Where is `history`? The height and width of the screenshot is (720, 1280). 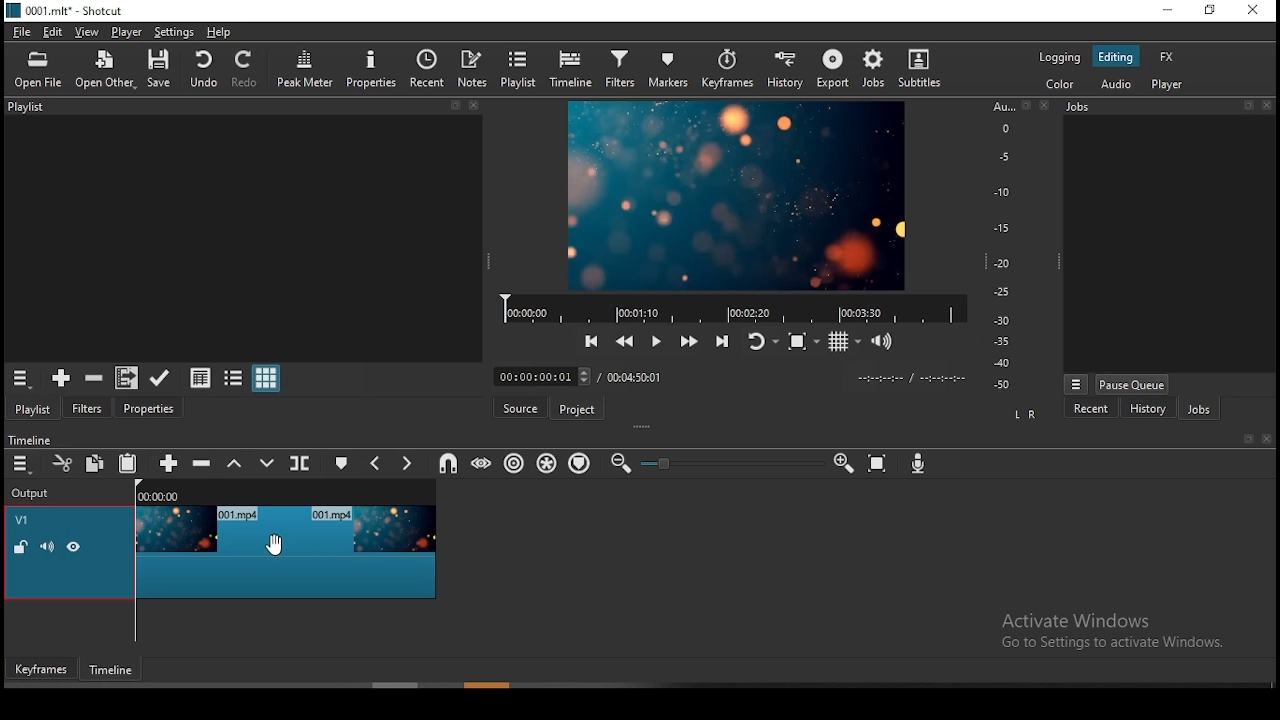 history is located at coordinates (1150, 408).